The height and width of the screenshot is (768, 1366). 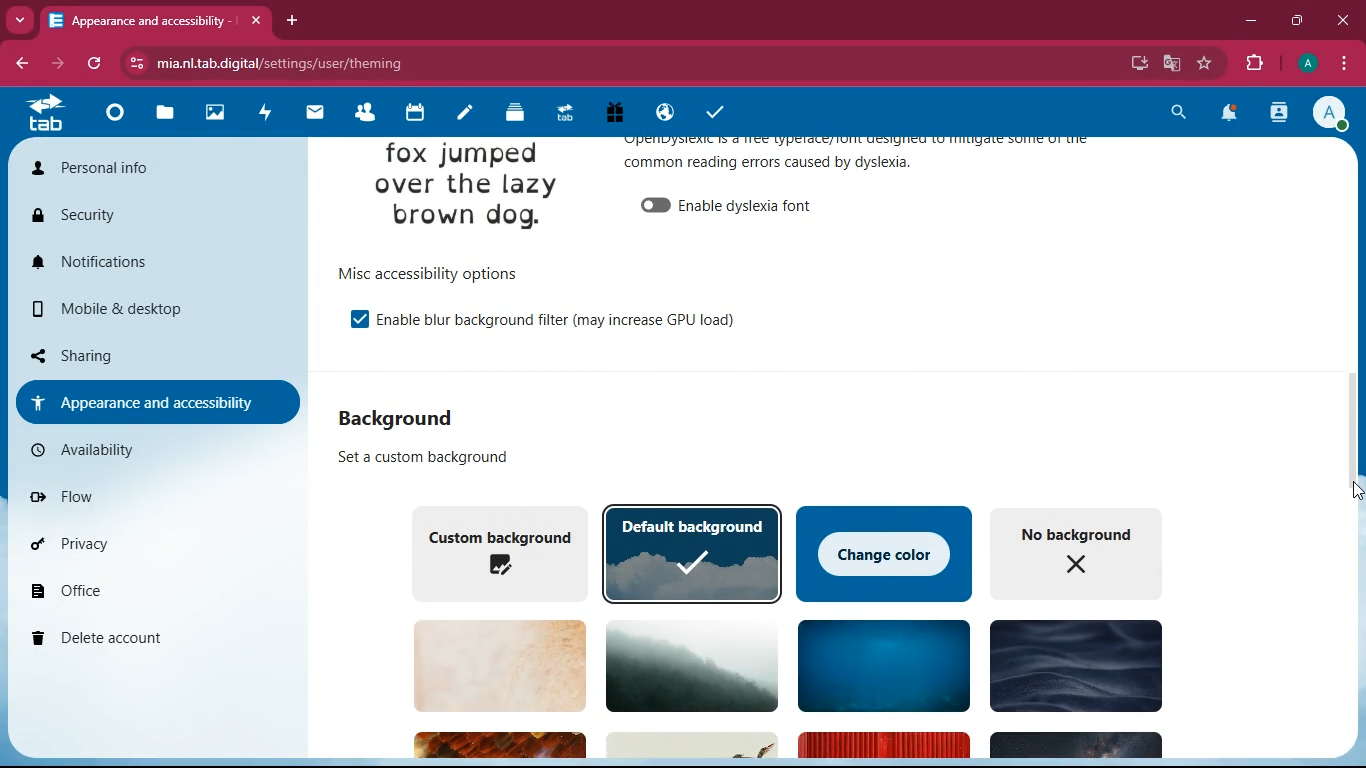 I want to click on desktop, so click(x=1128, y=61).